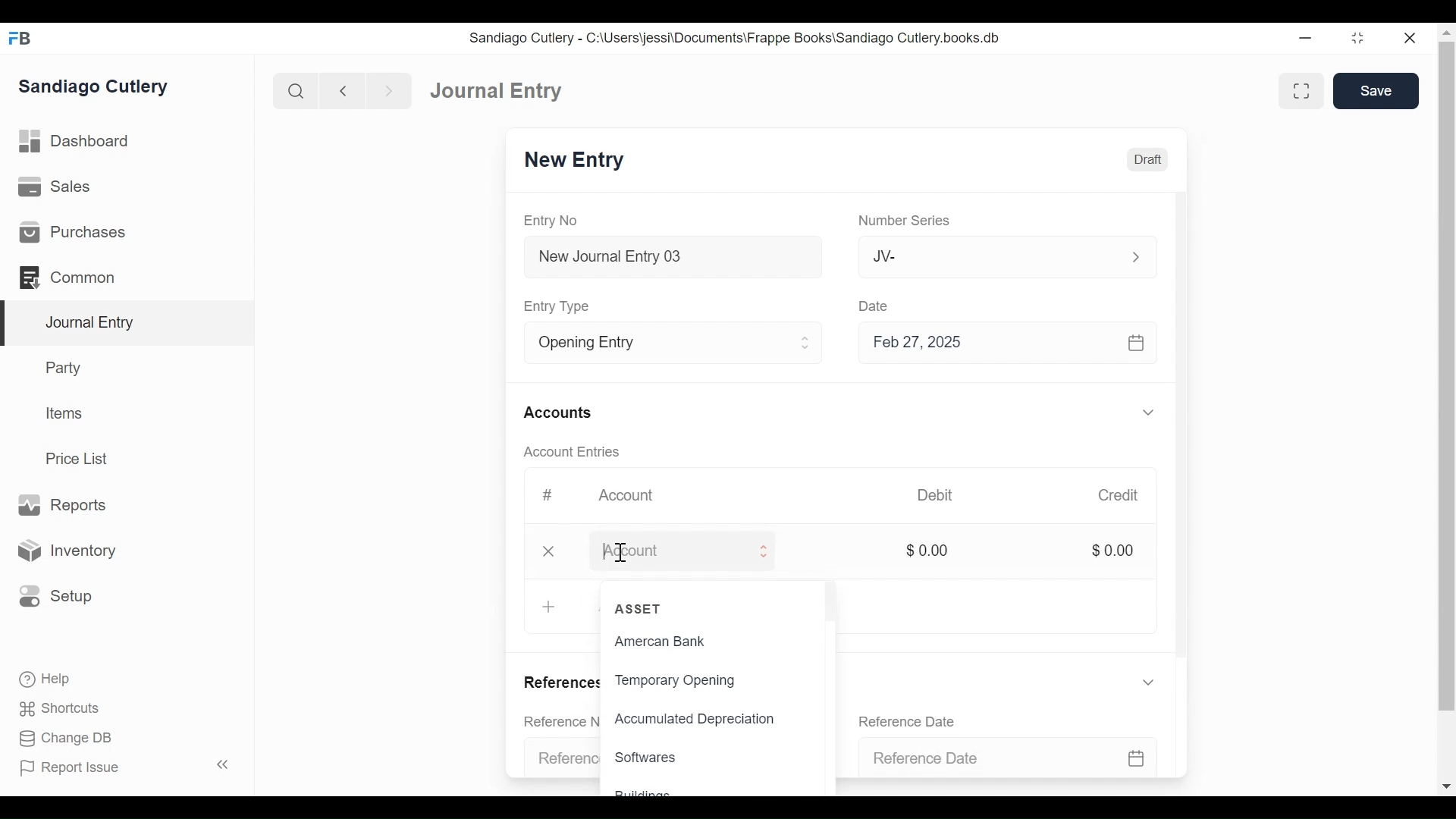 The image size is (1456, 819). Describe the element at coordinates (562, 306) in the screenshot. I see `Entry Type` at that location.